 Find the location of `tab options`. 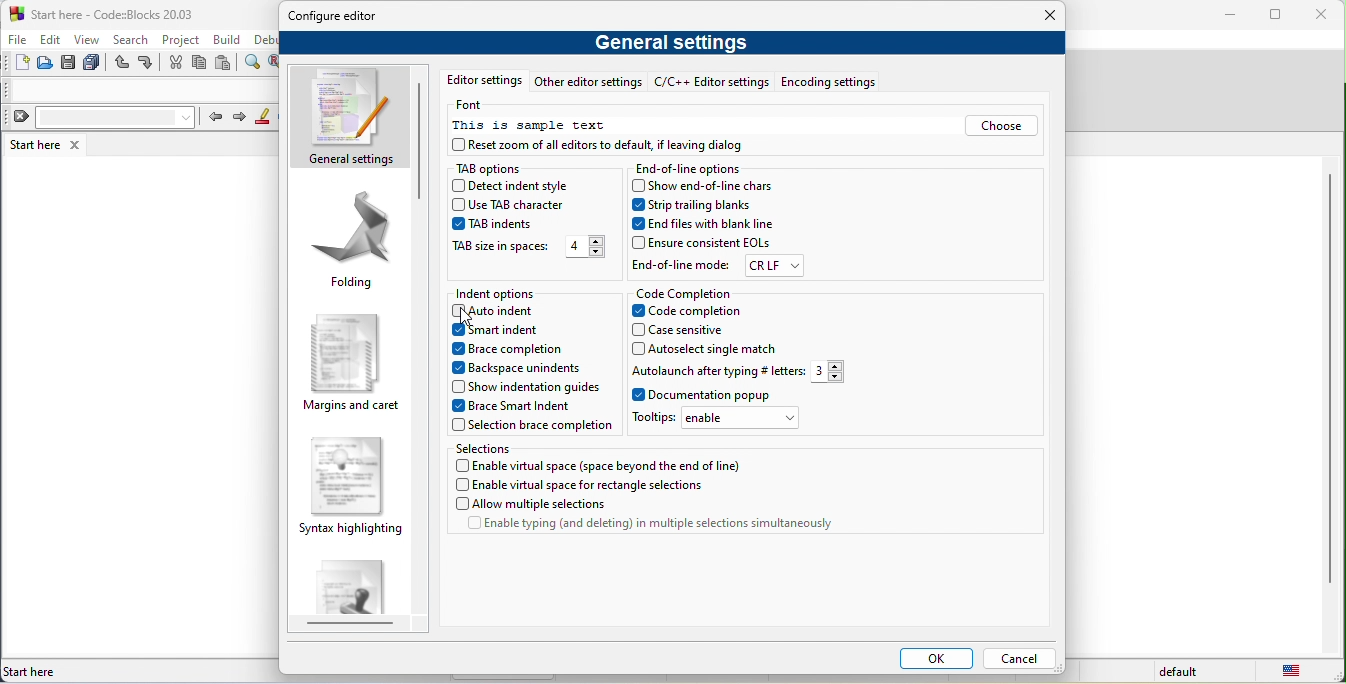

tab options is located at coordinates (496, 167).